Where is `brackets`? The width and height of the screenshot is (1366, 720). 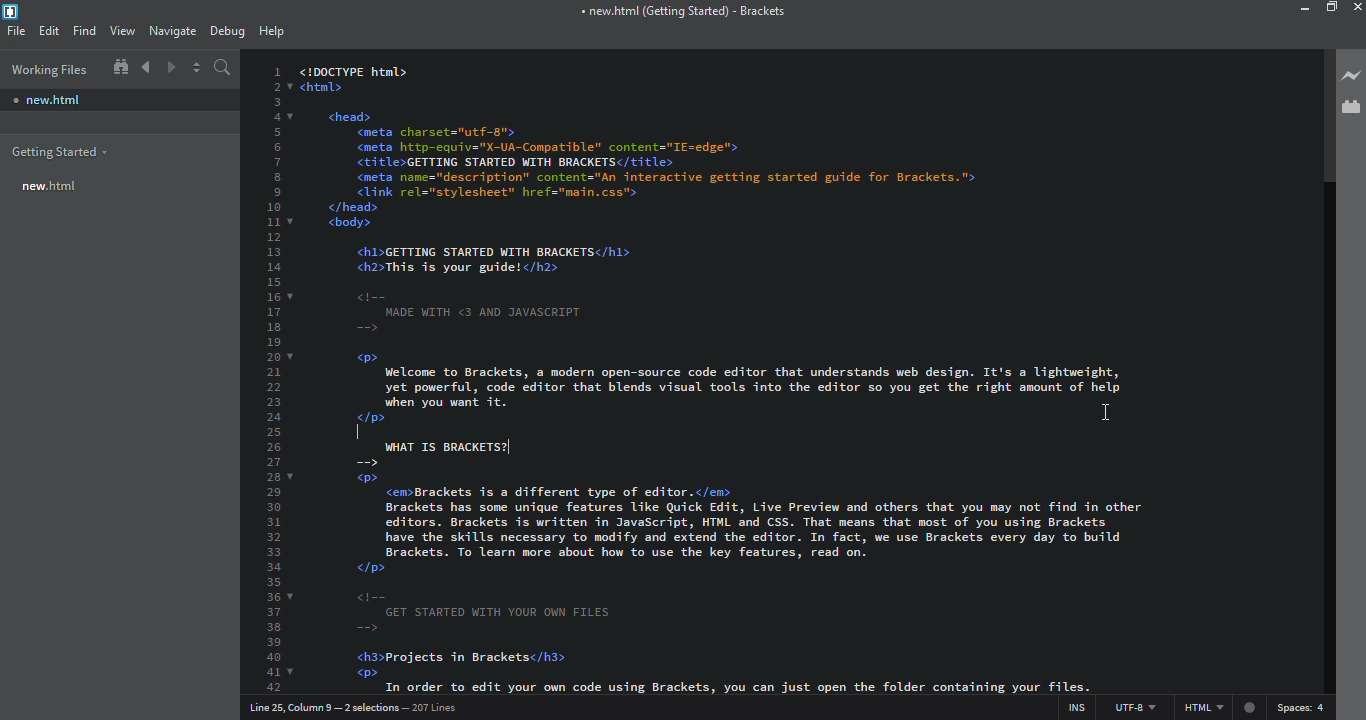
brackets is located at coordinates (682, 11).